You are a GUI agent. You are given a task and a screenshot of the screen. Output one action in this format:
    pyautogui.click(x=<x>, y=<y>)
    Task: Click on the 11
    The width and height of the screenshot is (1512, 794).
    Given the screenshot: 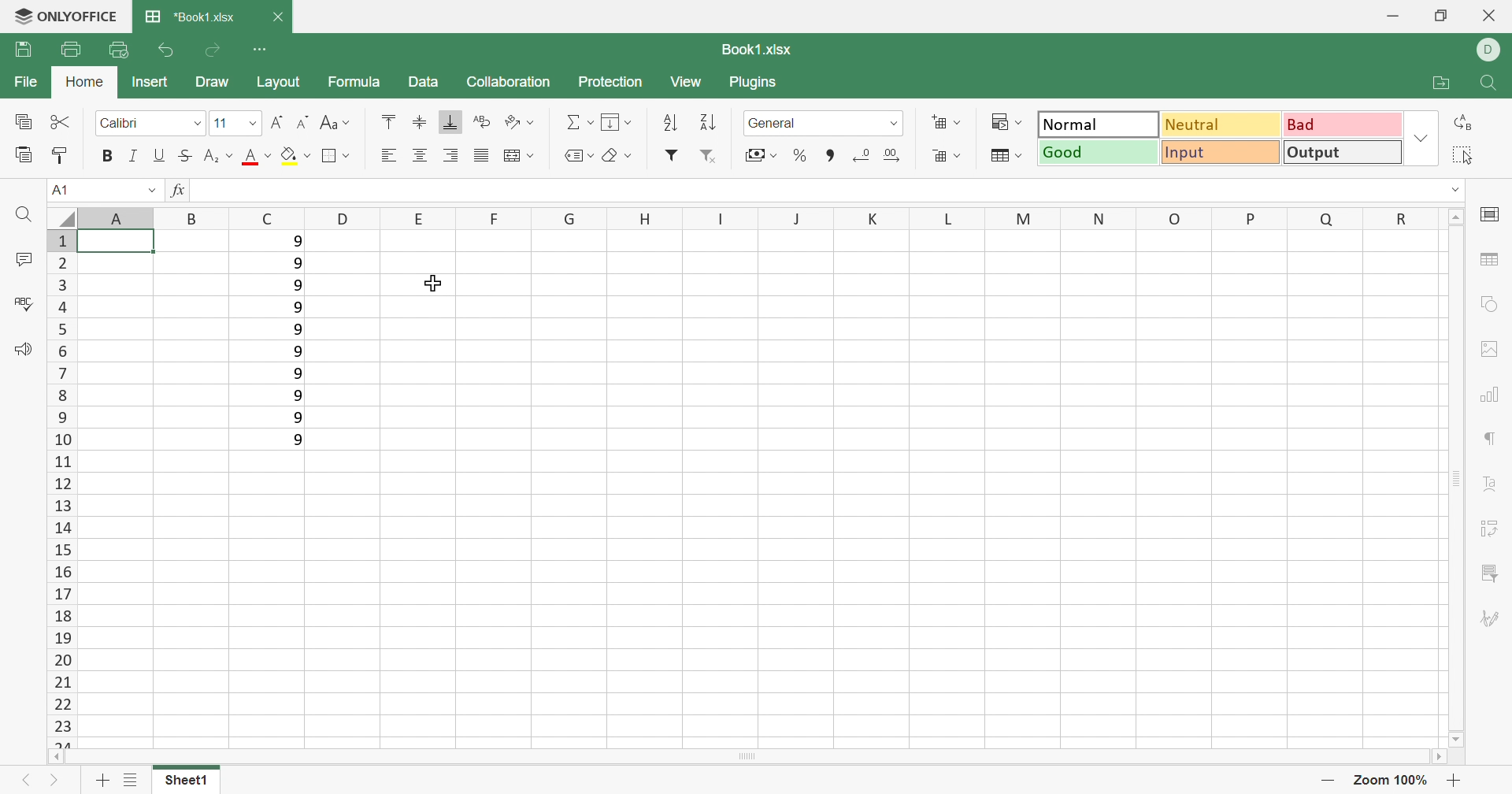 What is the action you would take?
    pyautogui.click(x=218, y=120)
    